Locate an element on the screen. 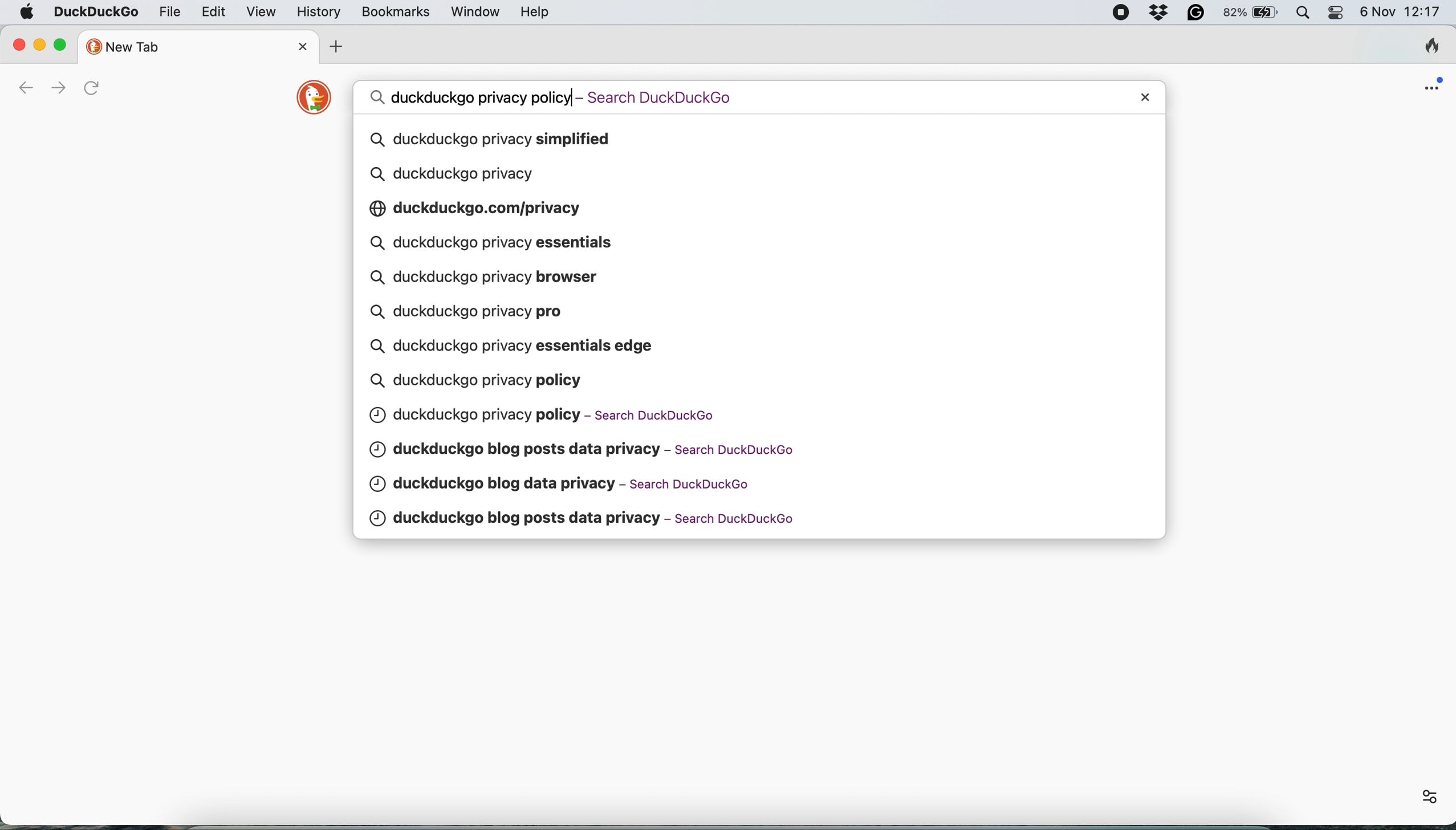 The image size is (1456, 830). file is located at coordinates (172, 11).